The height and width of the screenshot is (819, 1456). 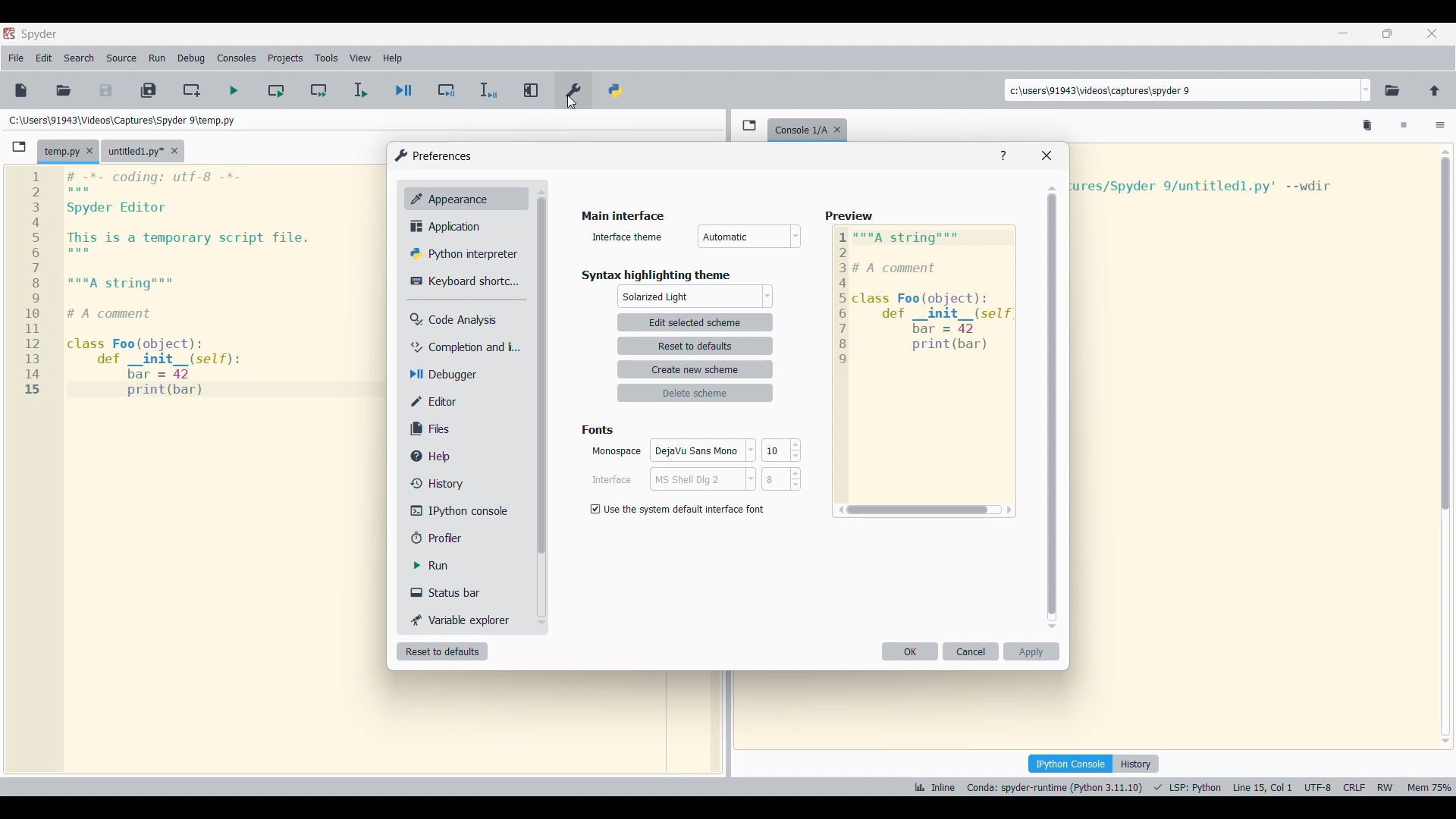 I want to click on Close interface, so click(x=1432, y=33).